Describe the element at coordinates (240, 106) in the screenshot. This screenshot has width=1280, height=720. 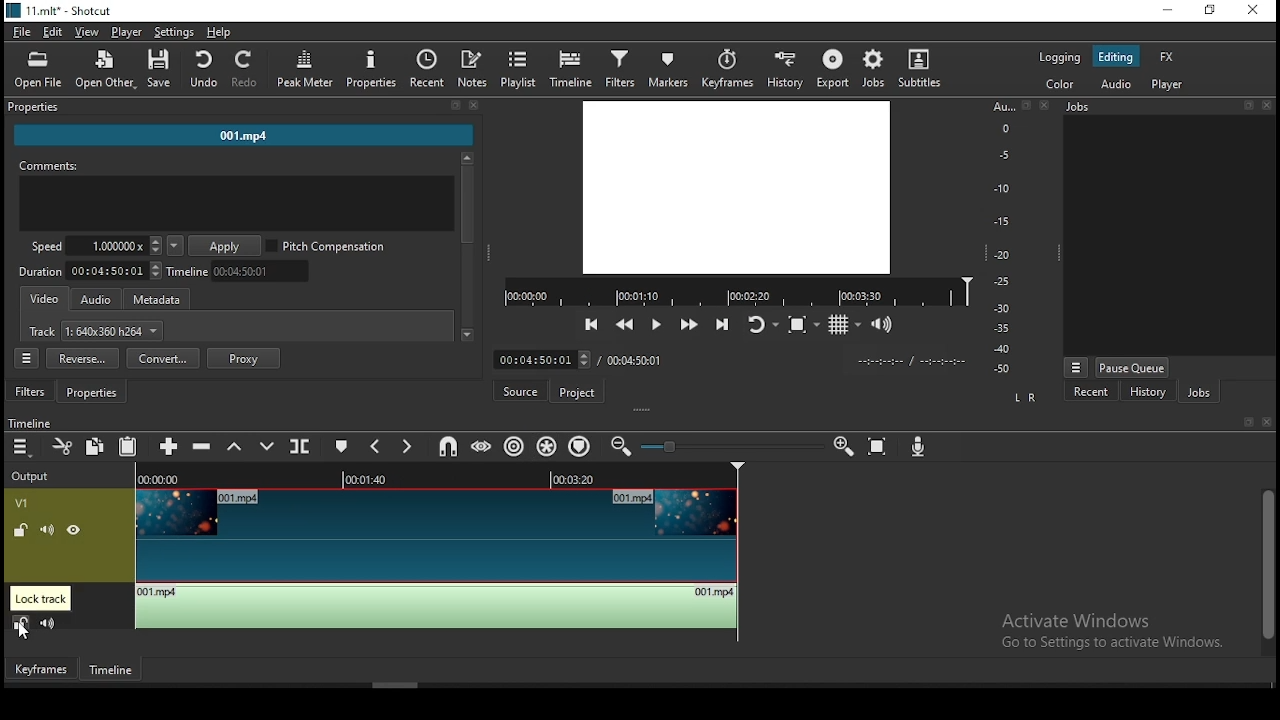
I see `properties` at that location.